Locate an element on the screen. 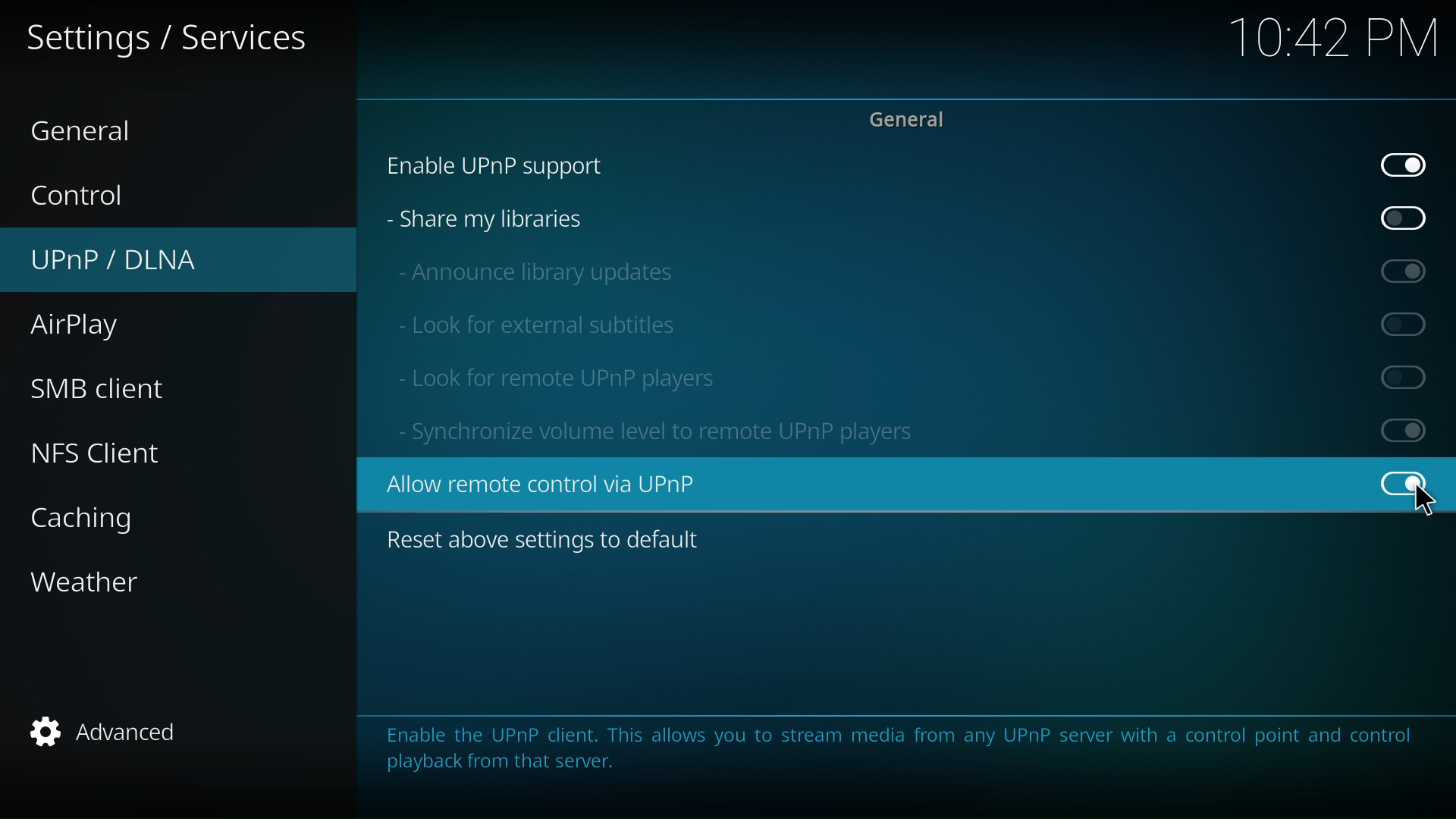  advanced is located at coordinates (94, 732).